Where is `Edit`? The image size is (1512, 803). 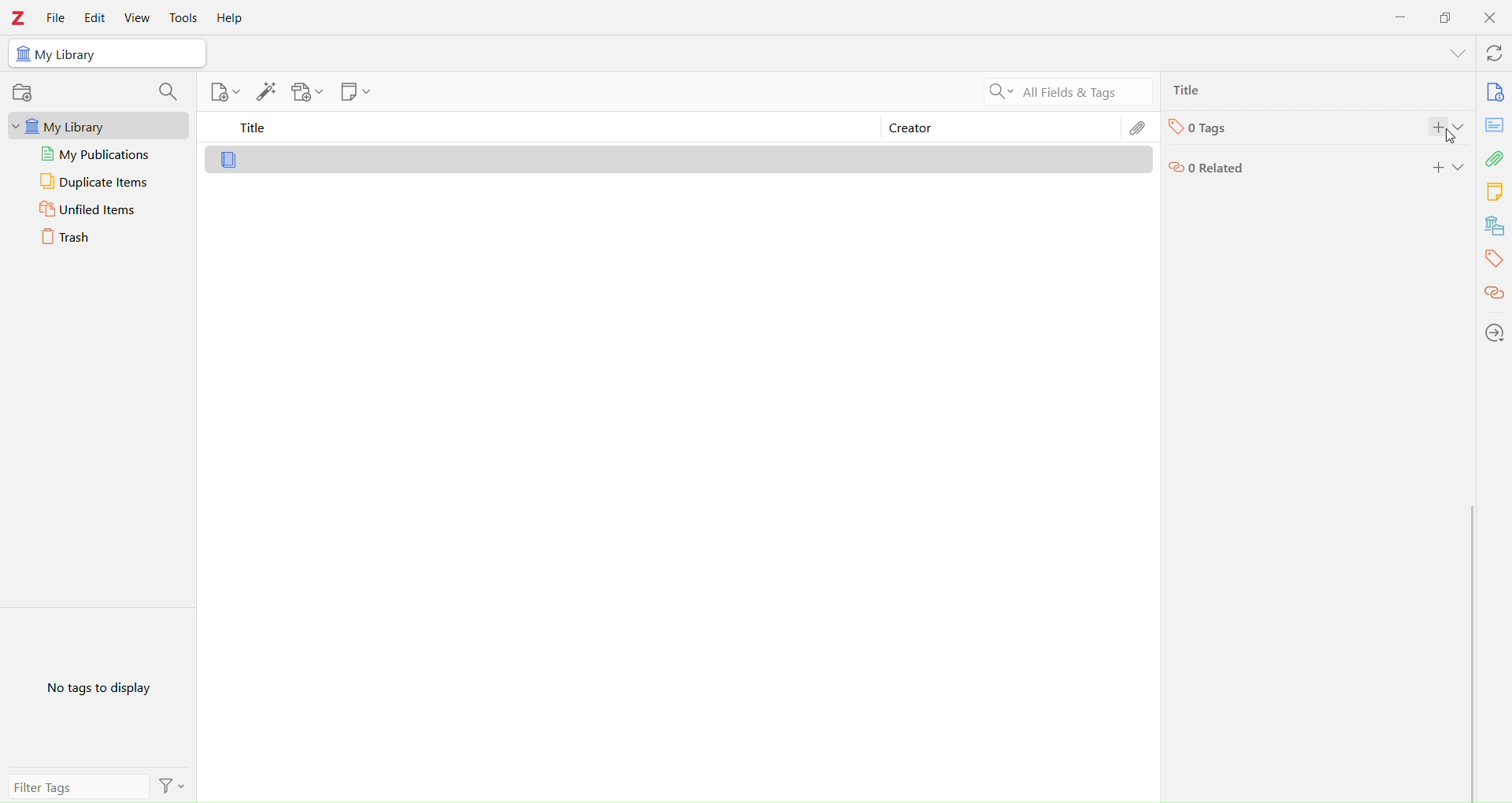
Edit is located at coordinates (1140, 128).